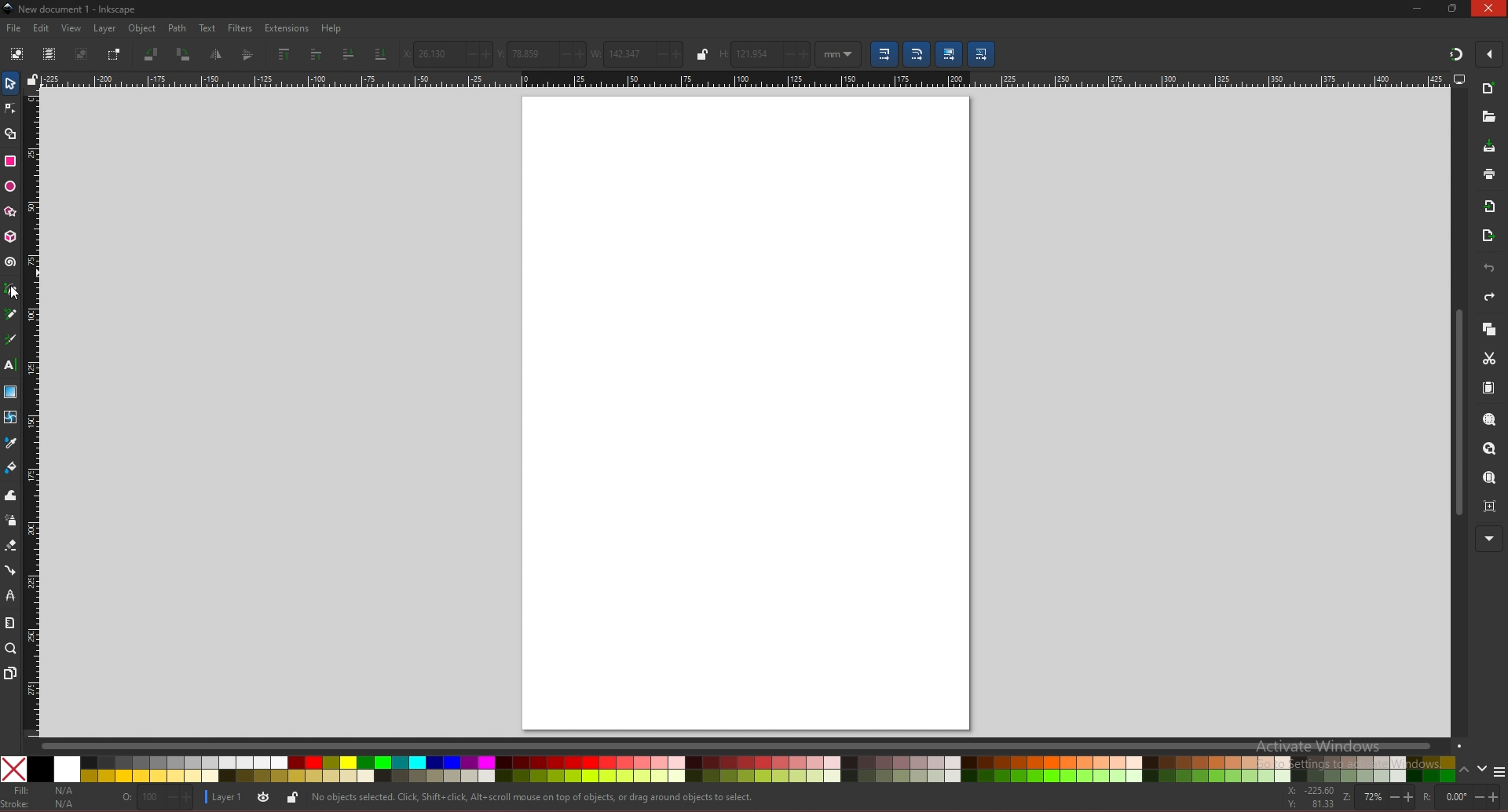  What do you see at coordinates (983, 53) in the screenshot?
I see `move pattern` at bounding box center [983, 53].